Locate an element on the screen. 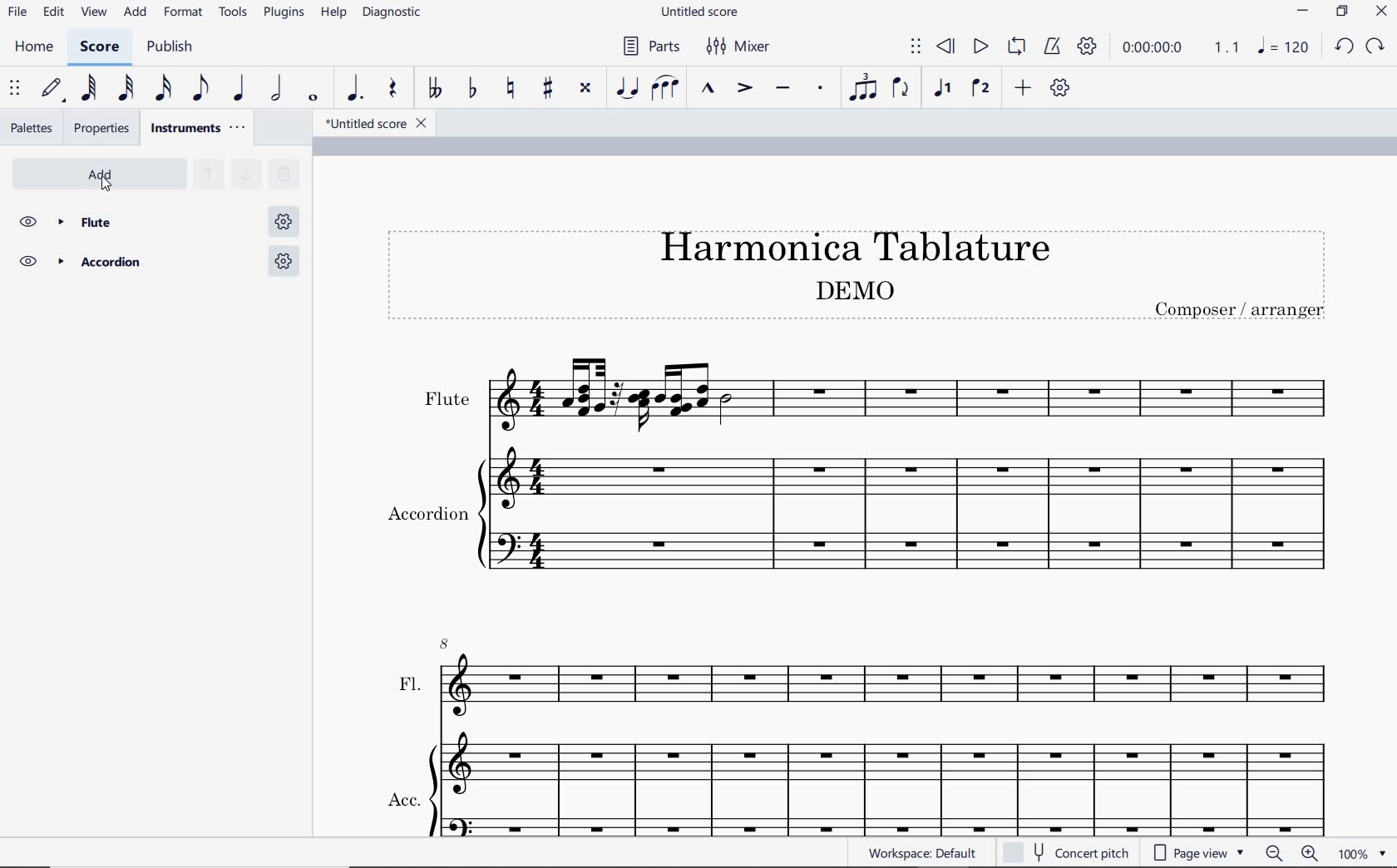 This screenshot has width=1397, height=868. properties is located at coordinates (104, 128).